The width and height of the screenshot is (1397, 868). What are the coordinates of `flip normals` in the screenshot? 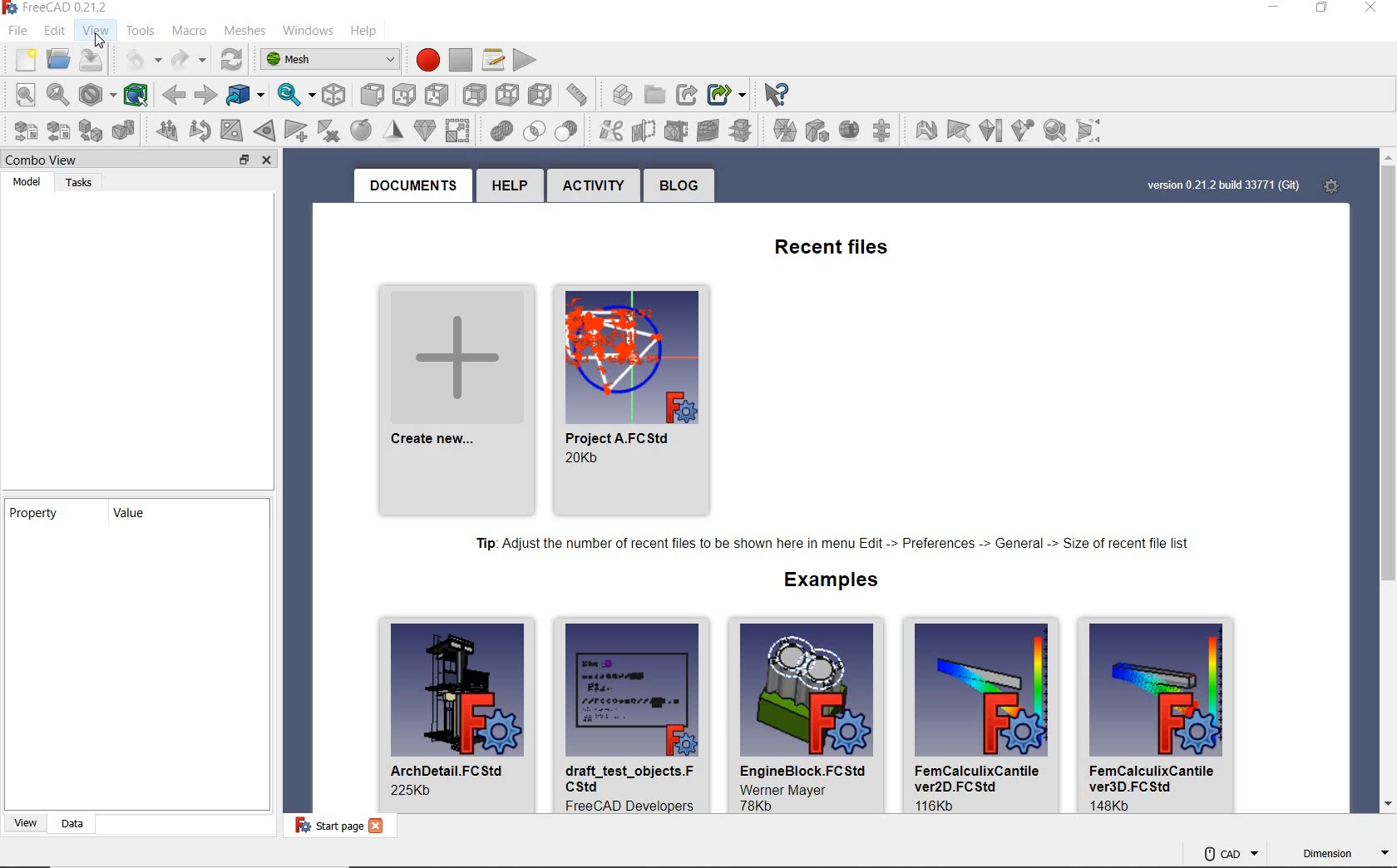 It's located at (196, 130).